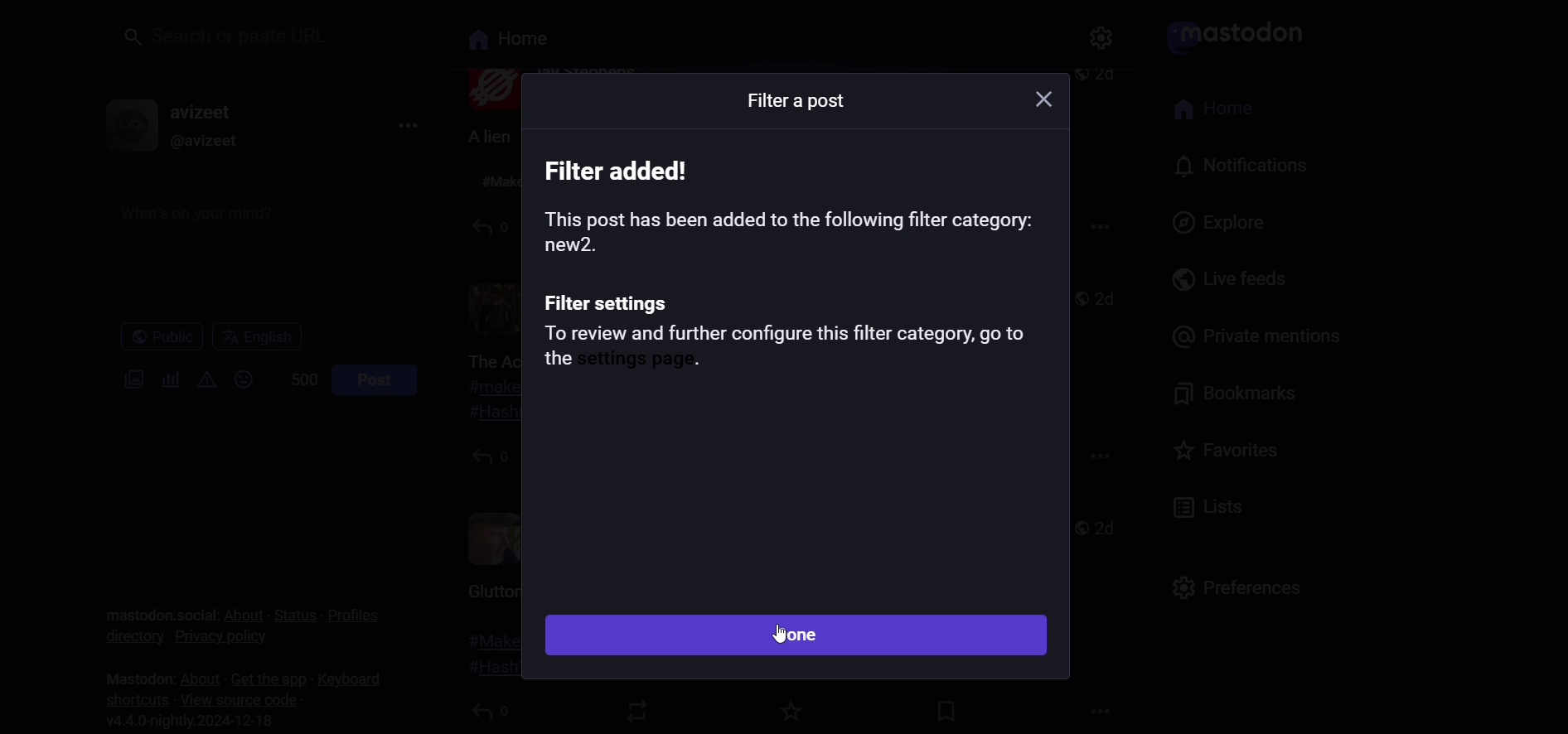 The image size is (1568, 734). Describe the element at coordinates (778, 635) in the screenshot. I see `cursor` at that location.